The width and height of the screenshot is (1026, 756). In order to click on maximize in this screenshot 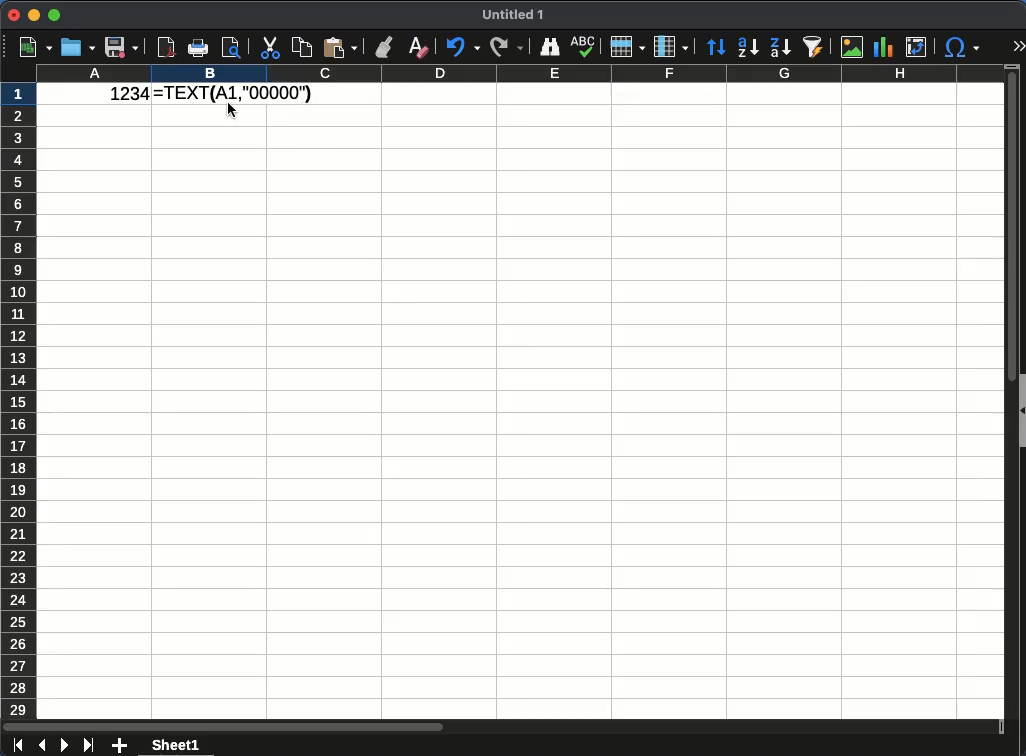, I will do `click(54, 16)`.